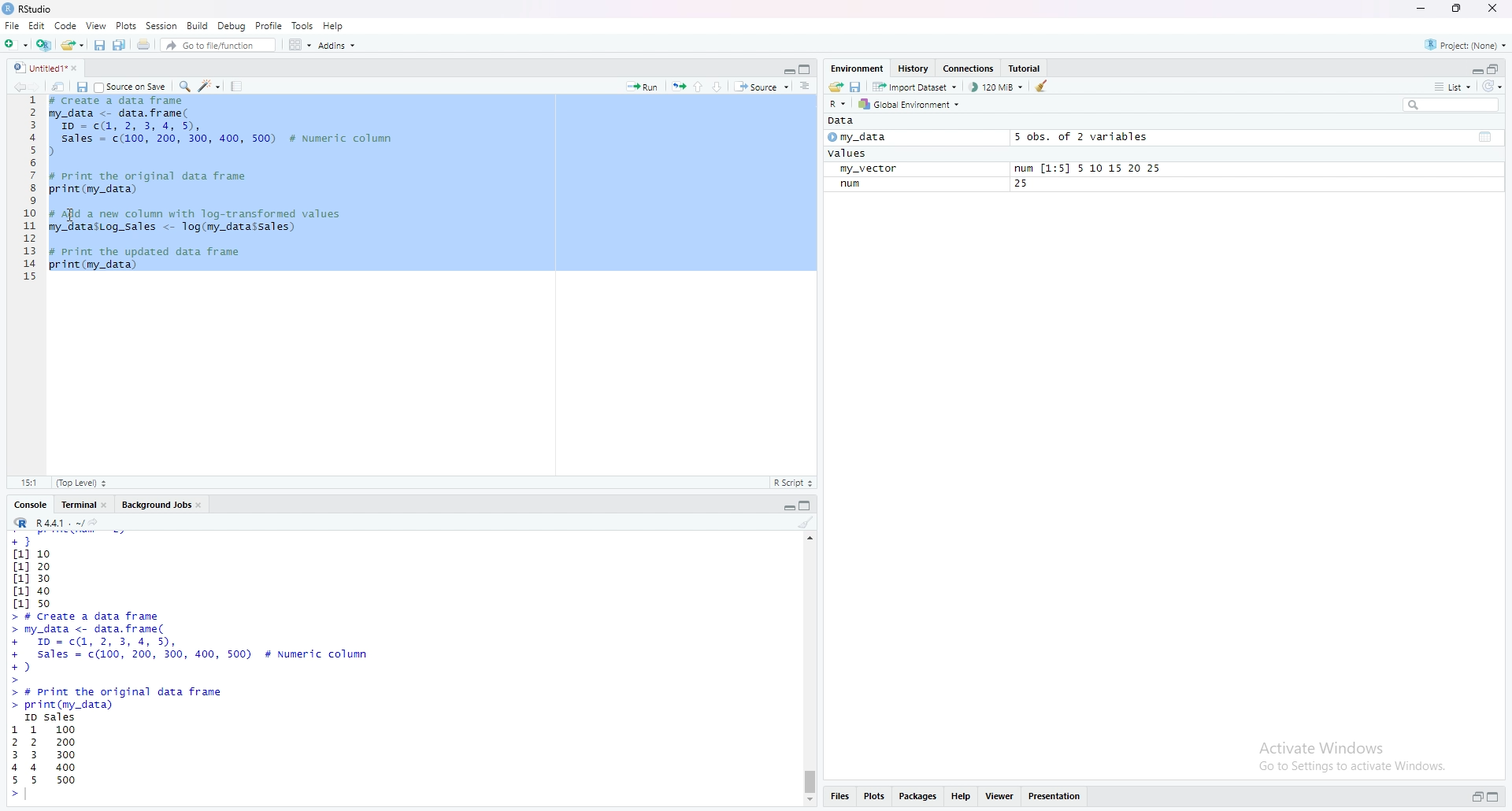  I want to click on go to previous section/chunk, so click(701, 87).